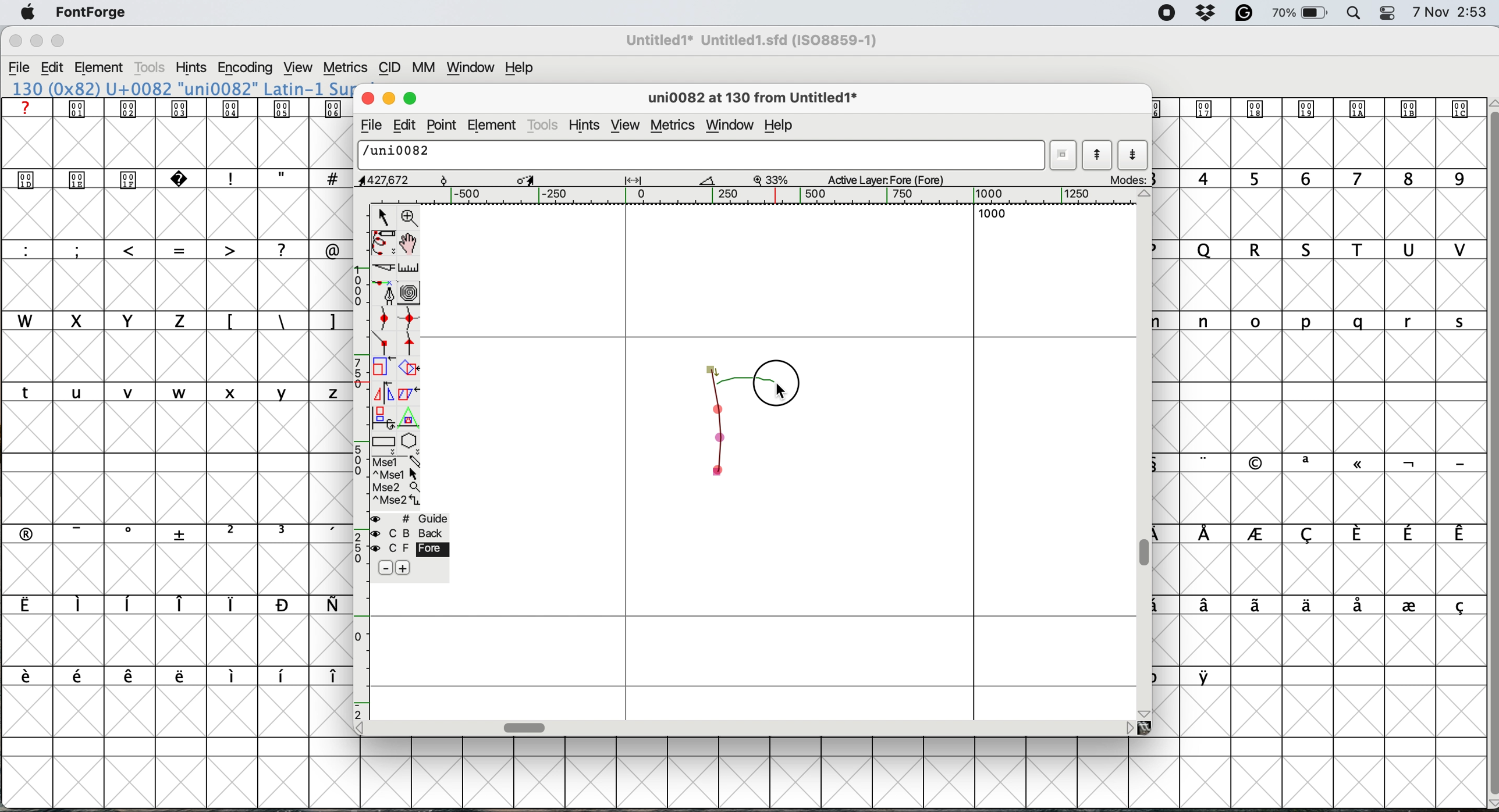 The width and height of the screenshot is (1499, 812). What do you see at coordinates (1355, 13) in the screenshot?
I see `spotlight search` at bounding box center [1355, 13].